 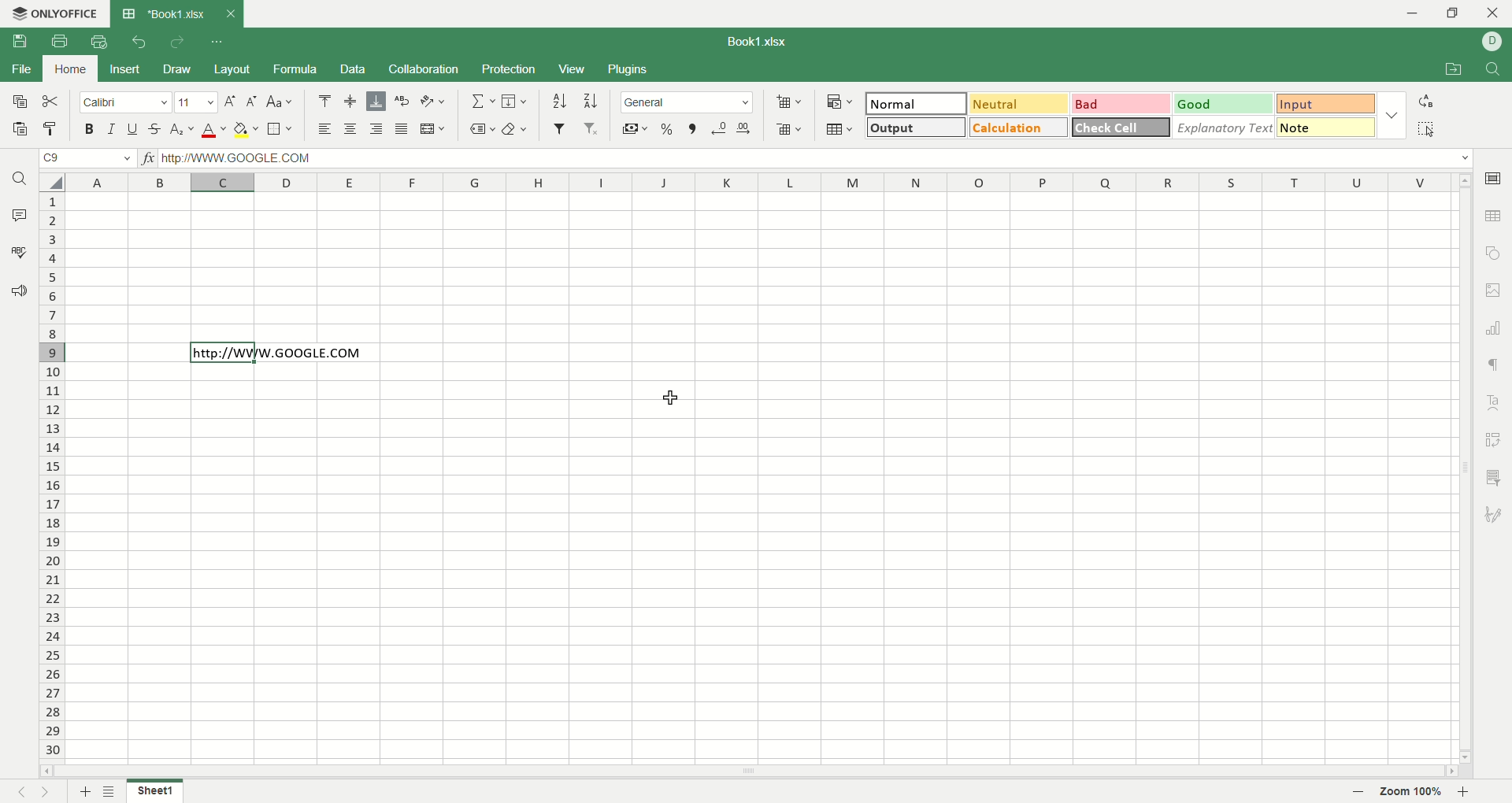 I want to click on table, so click(x=840, y=128).